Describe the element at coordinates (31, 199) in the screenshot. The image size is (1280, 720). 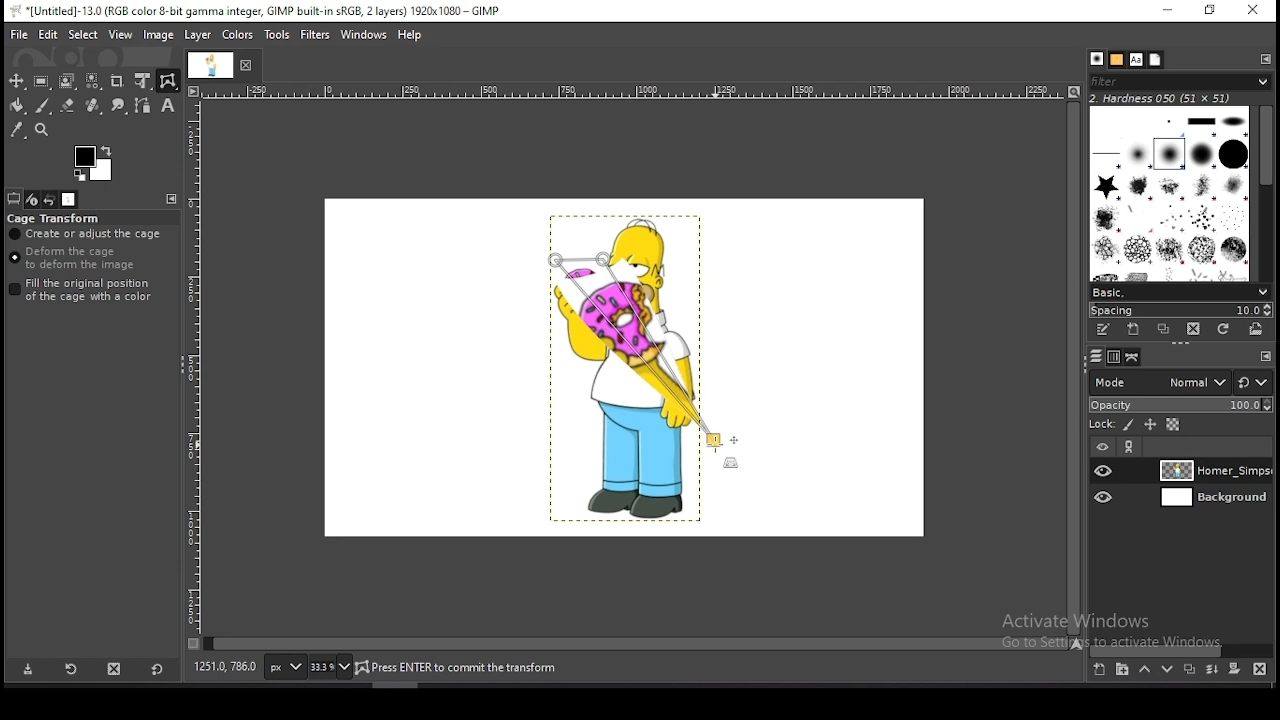
I see `device status` at that location.